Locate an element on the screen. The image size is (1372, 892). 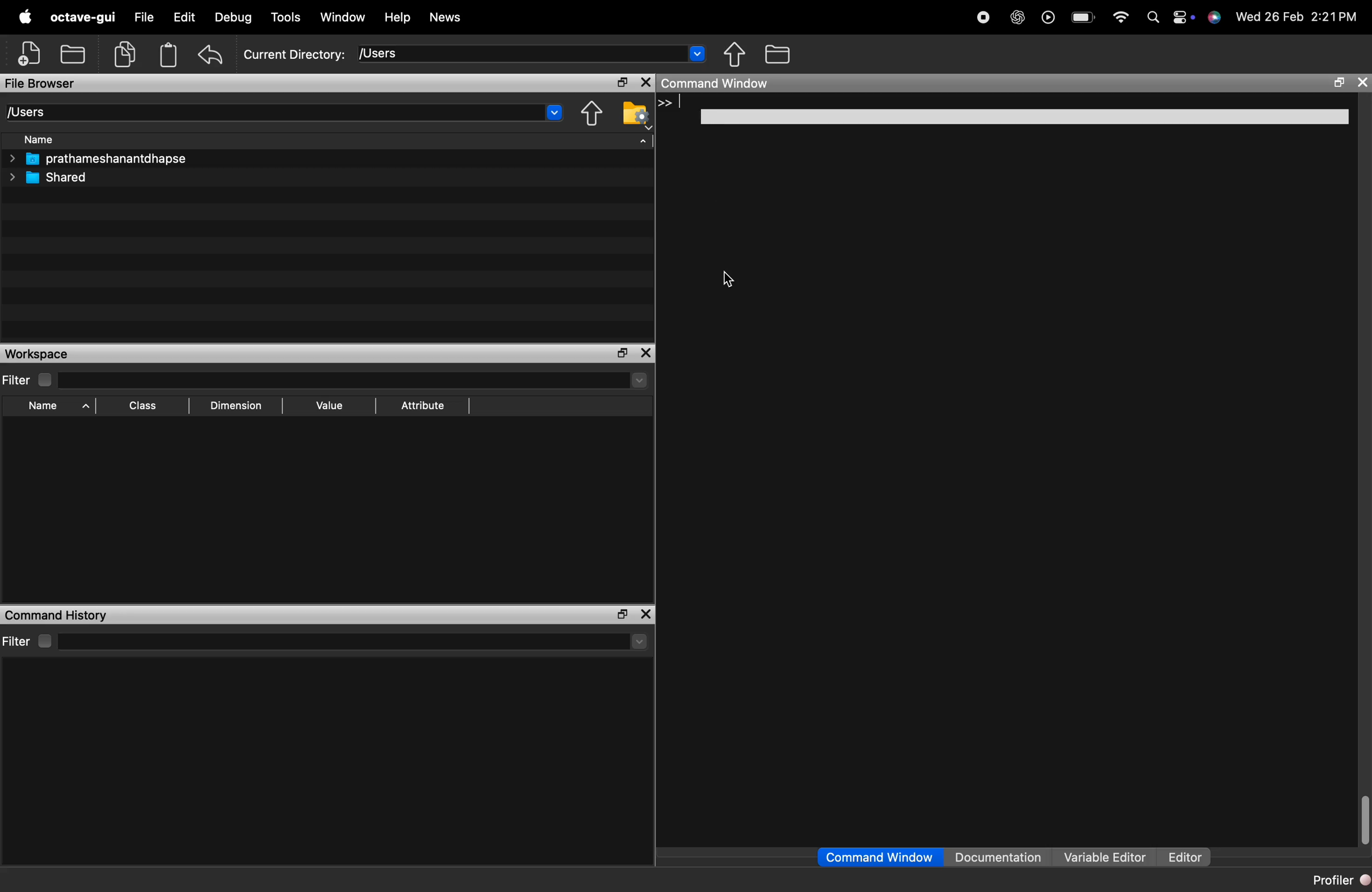
white field is located at coordinates (1023, 119).